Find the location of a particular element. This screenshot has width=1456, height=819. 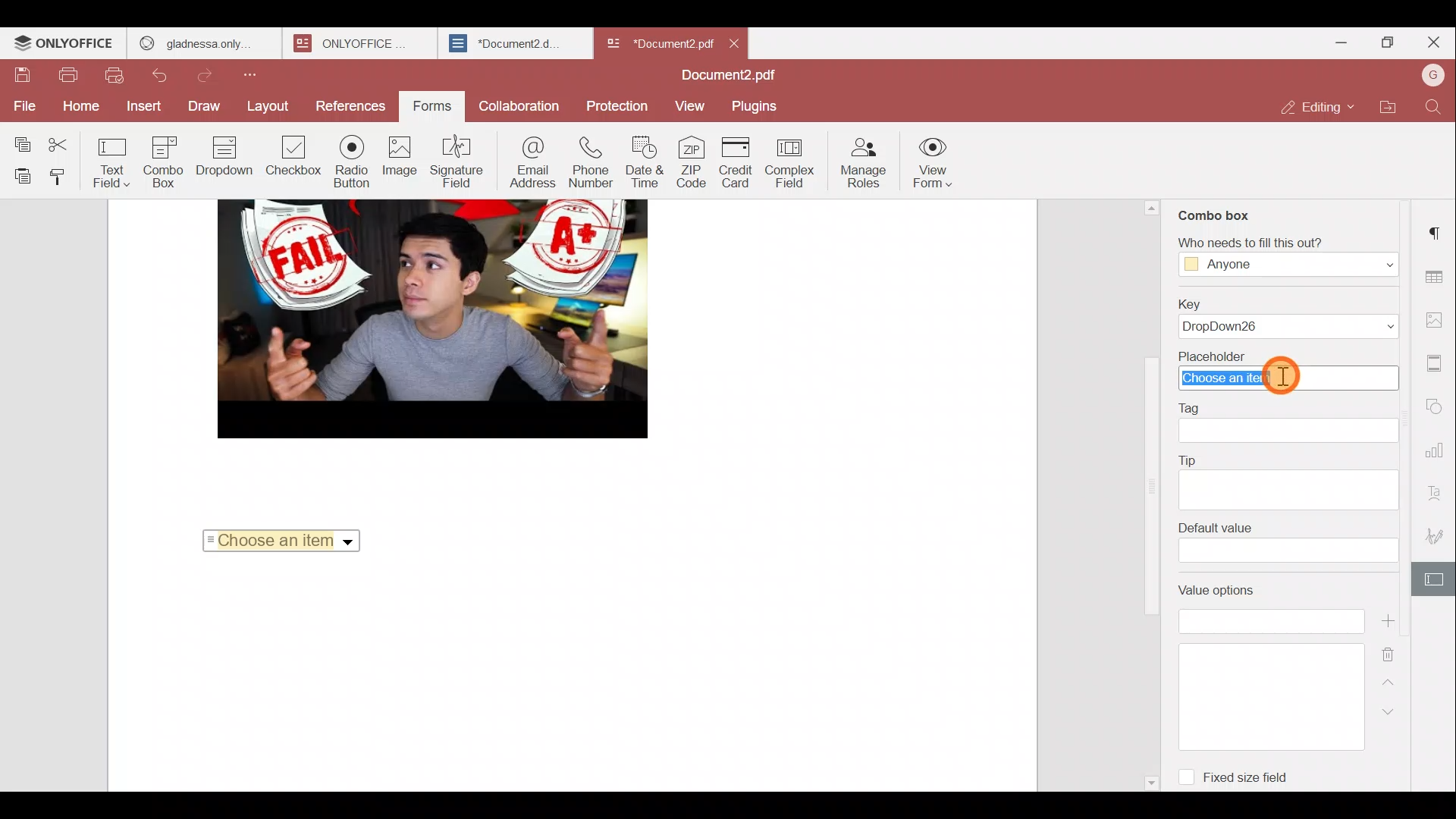

Print file is located at coordinates (68, 77).